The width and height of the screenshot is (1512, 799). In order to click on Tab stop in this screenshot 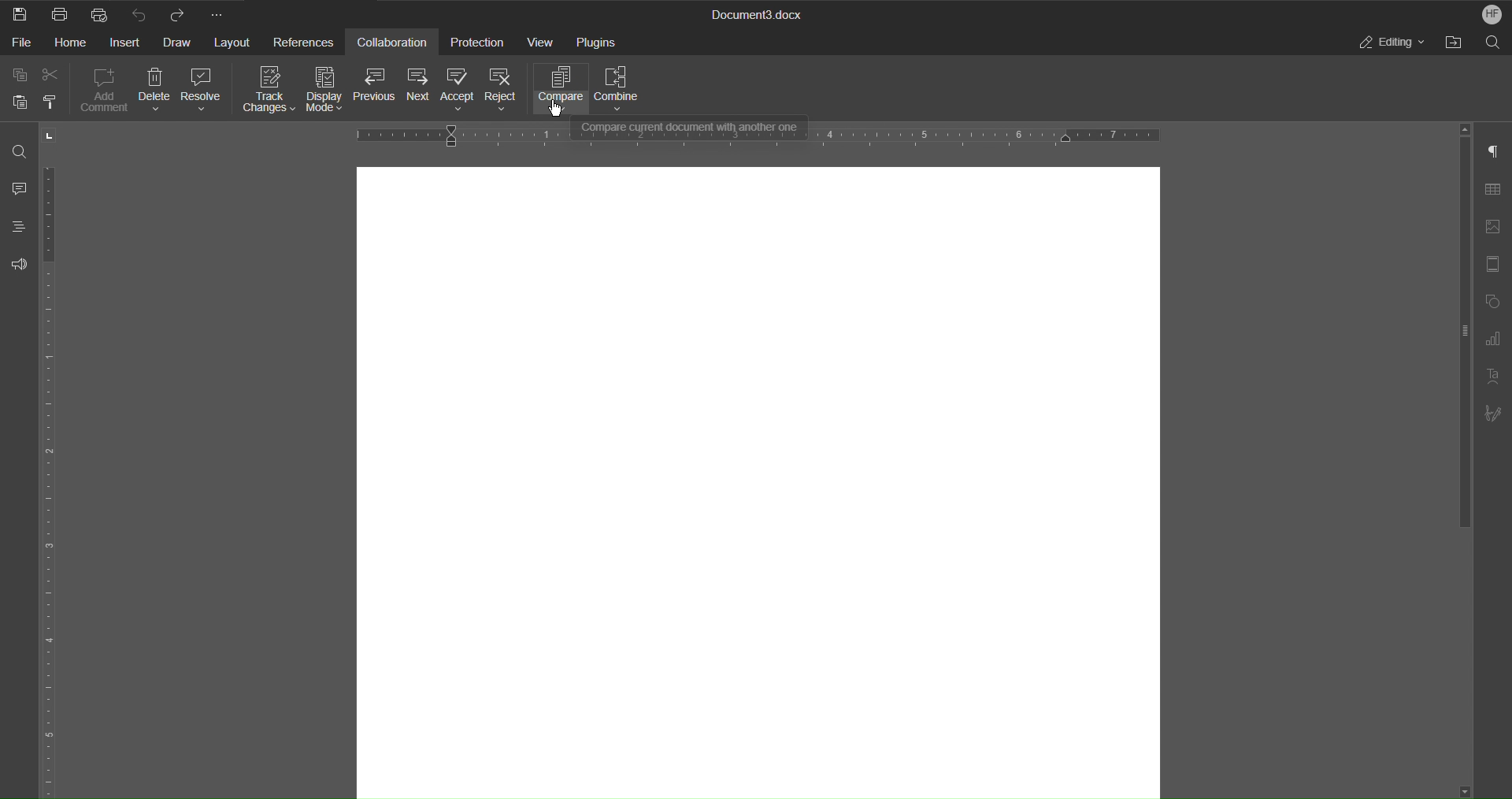, I will do `click(53, 136)`.